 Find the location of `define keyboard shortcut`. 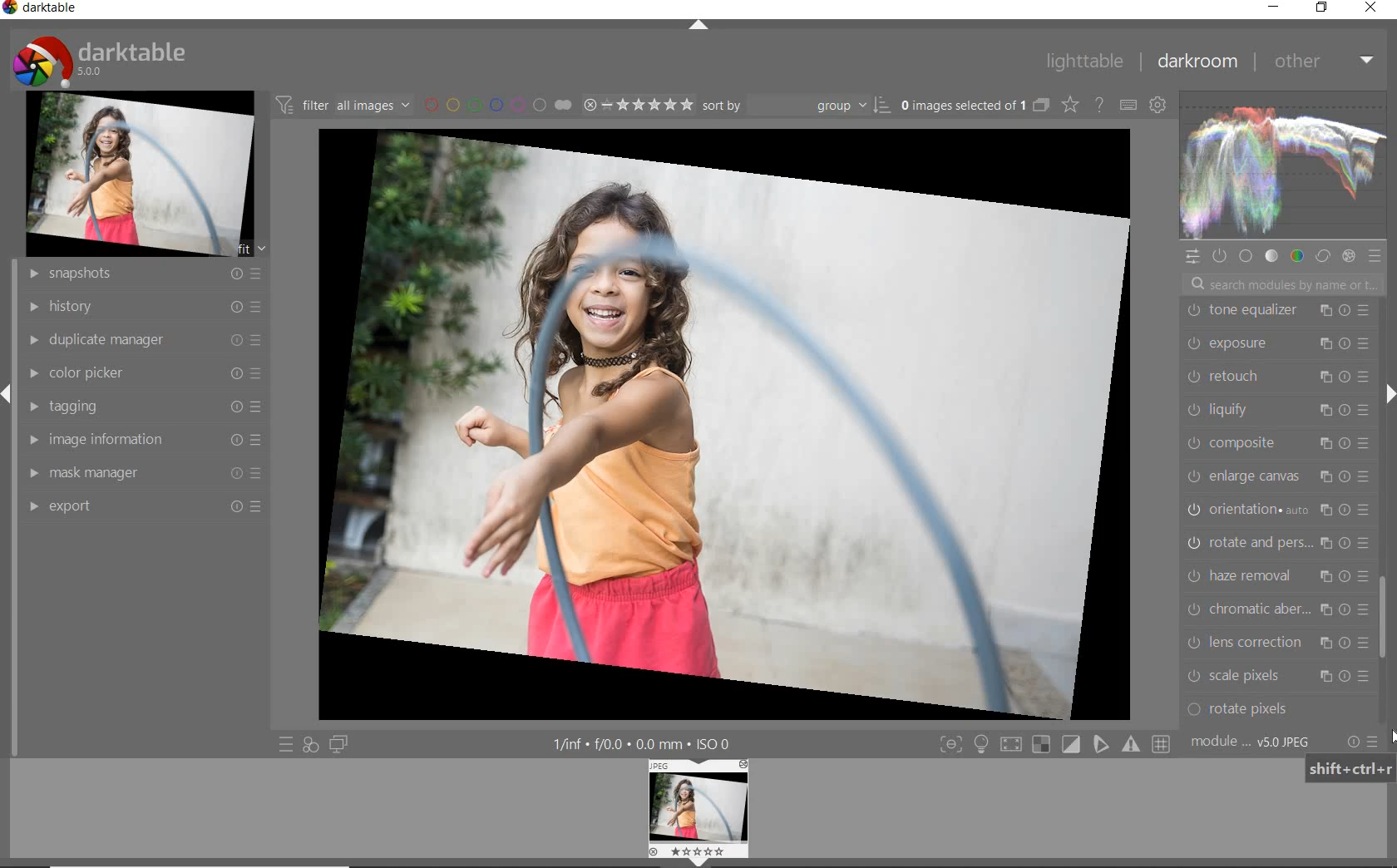

define keyboard shortcut is located at coordinates (1128, 106).